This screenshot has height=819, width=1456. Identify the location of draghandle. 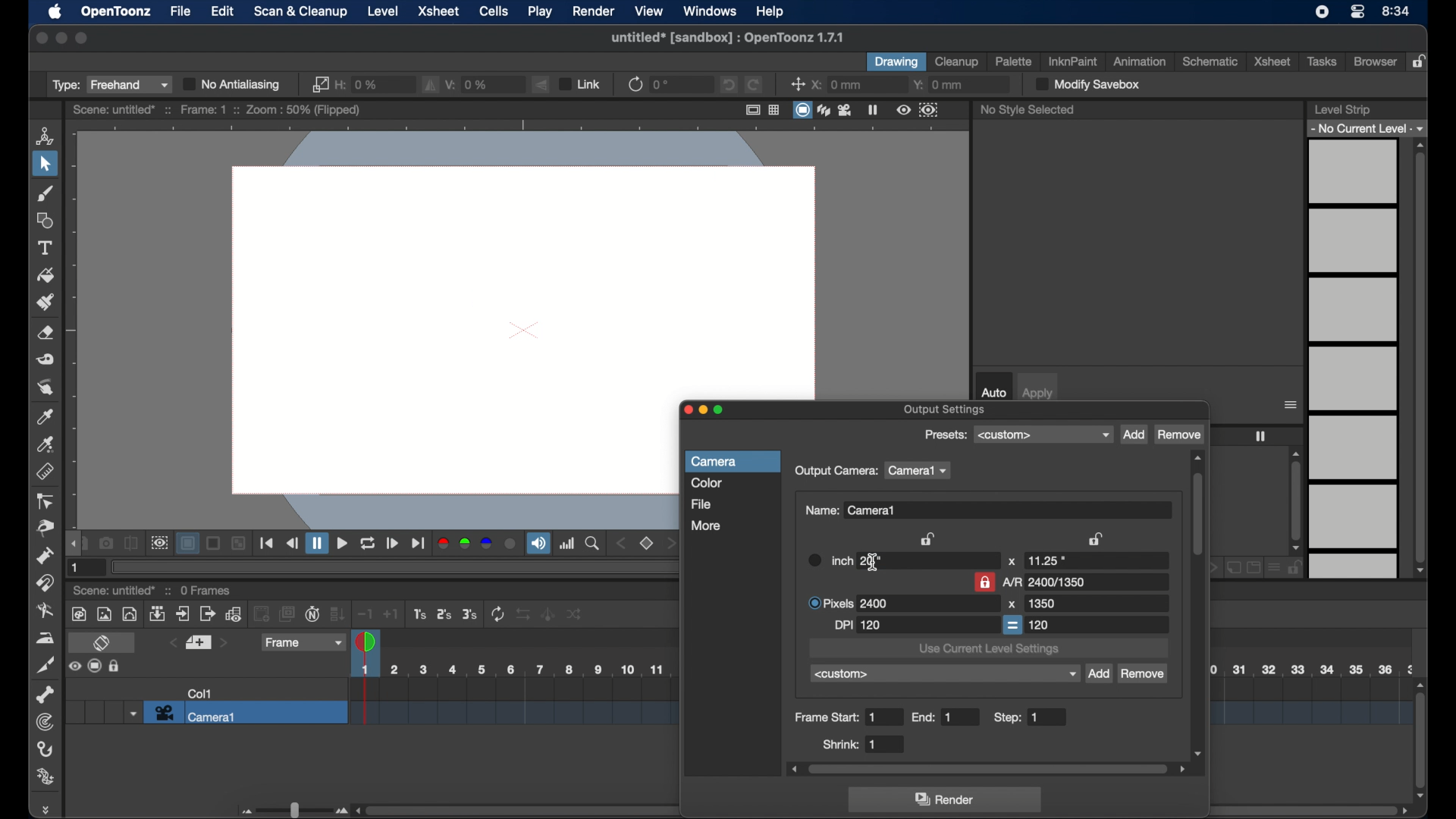
(74, 544).